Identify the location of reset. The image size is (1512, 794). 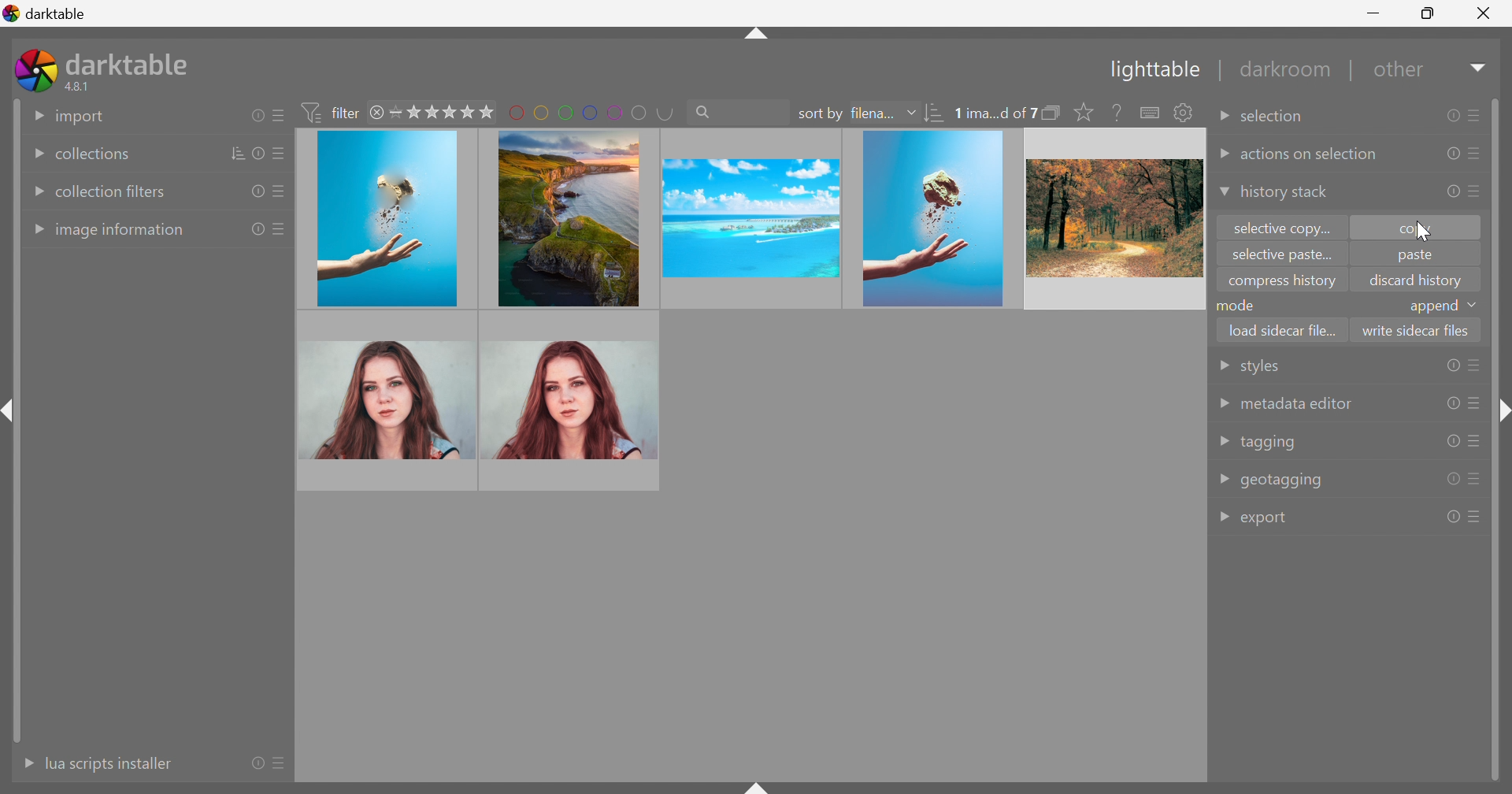
(256, 115).